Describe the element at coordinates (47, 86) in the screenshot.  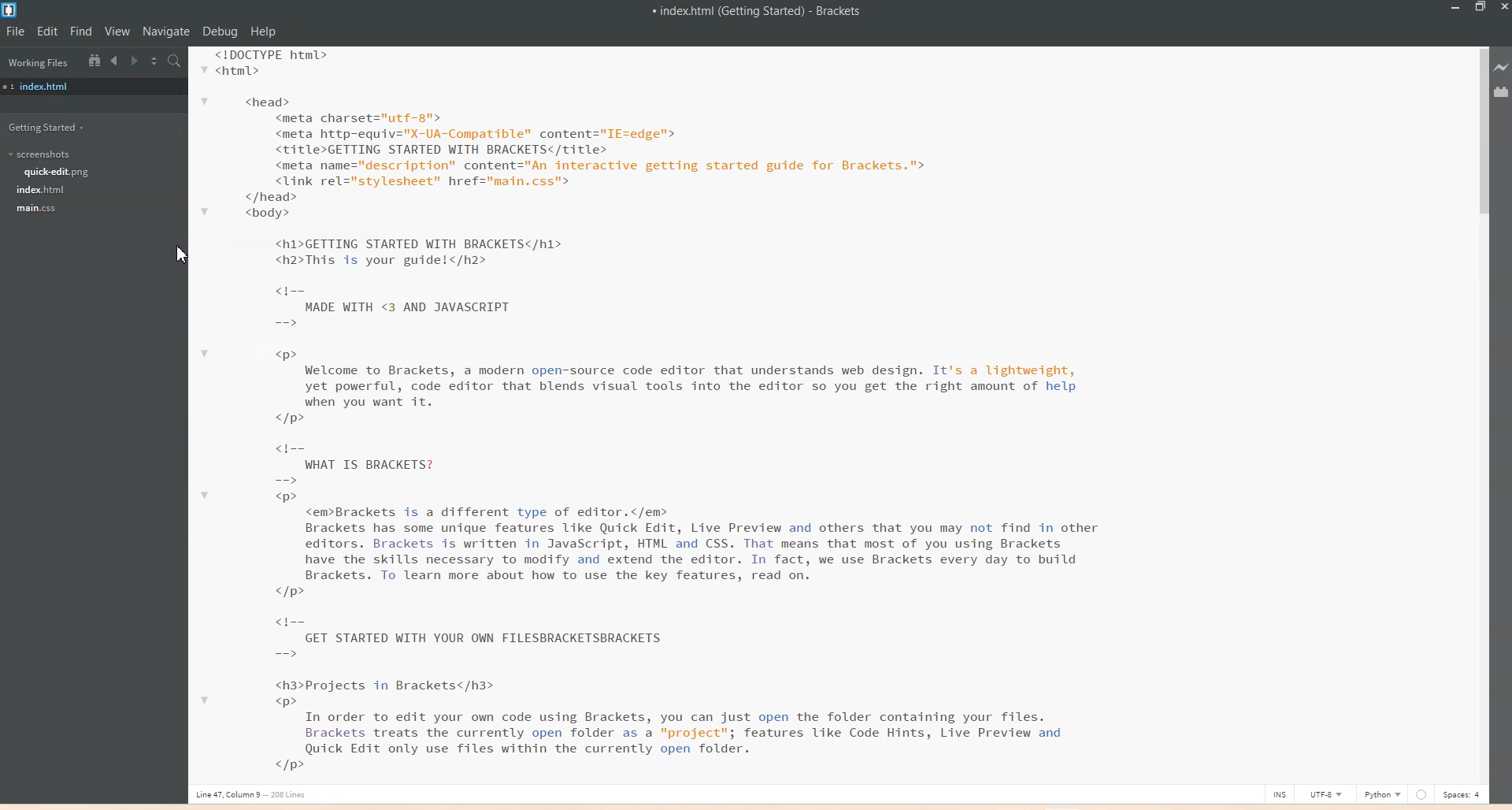
I see `index.html` at that location.